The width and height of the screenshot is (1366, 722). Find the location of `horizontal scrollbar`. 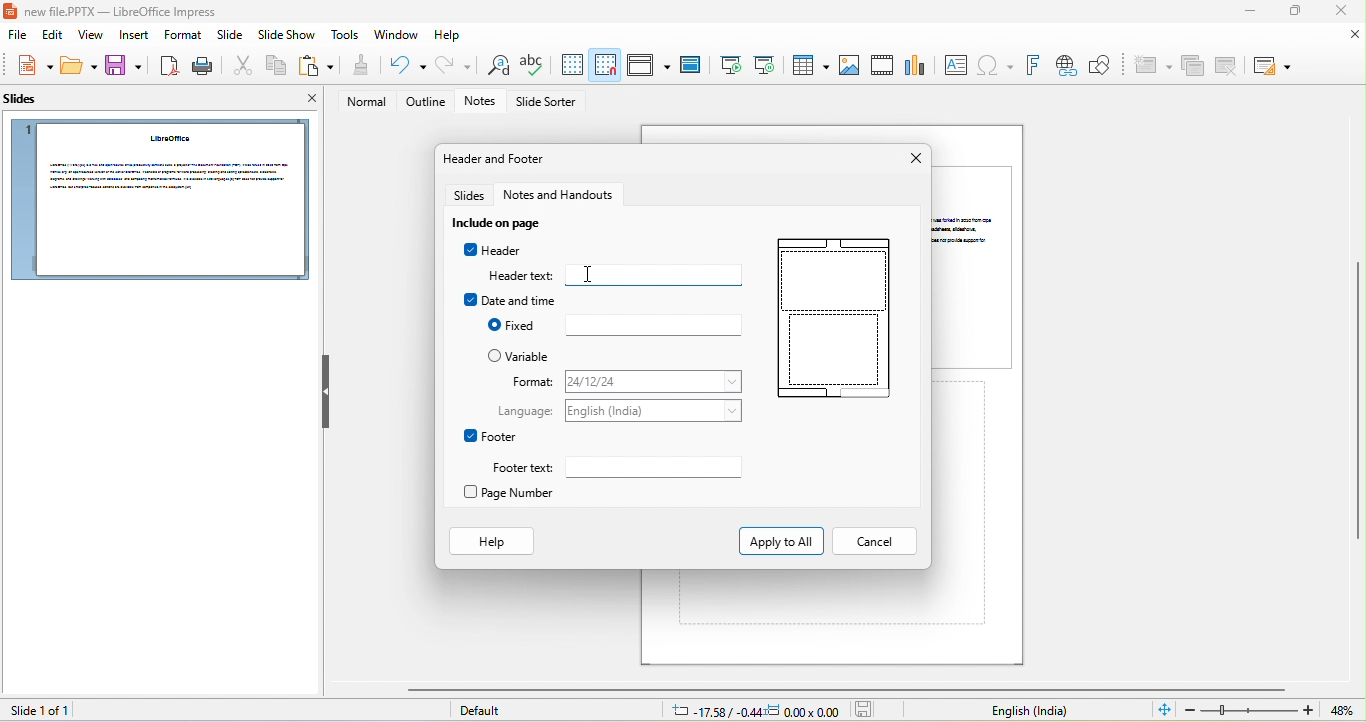

horizontal scrollbar is located at coordinates (845, 689).